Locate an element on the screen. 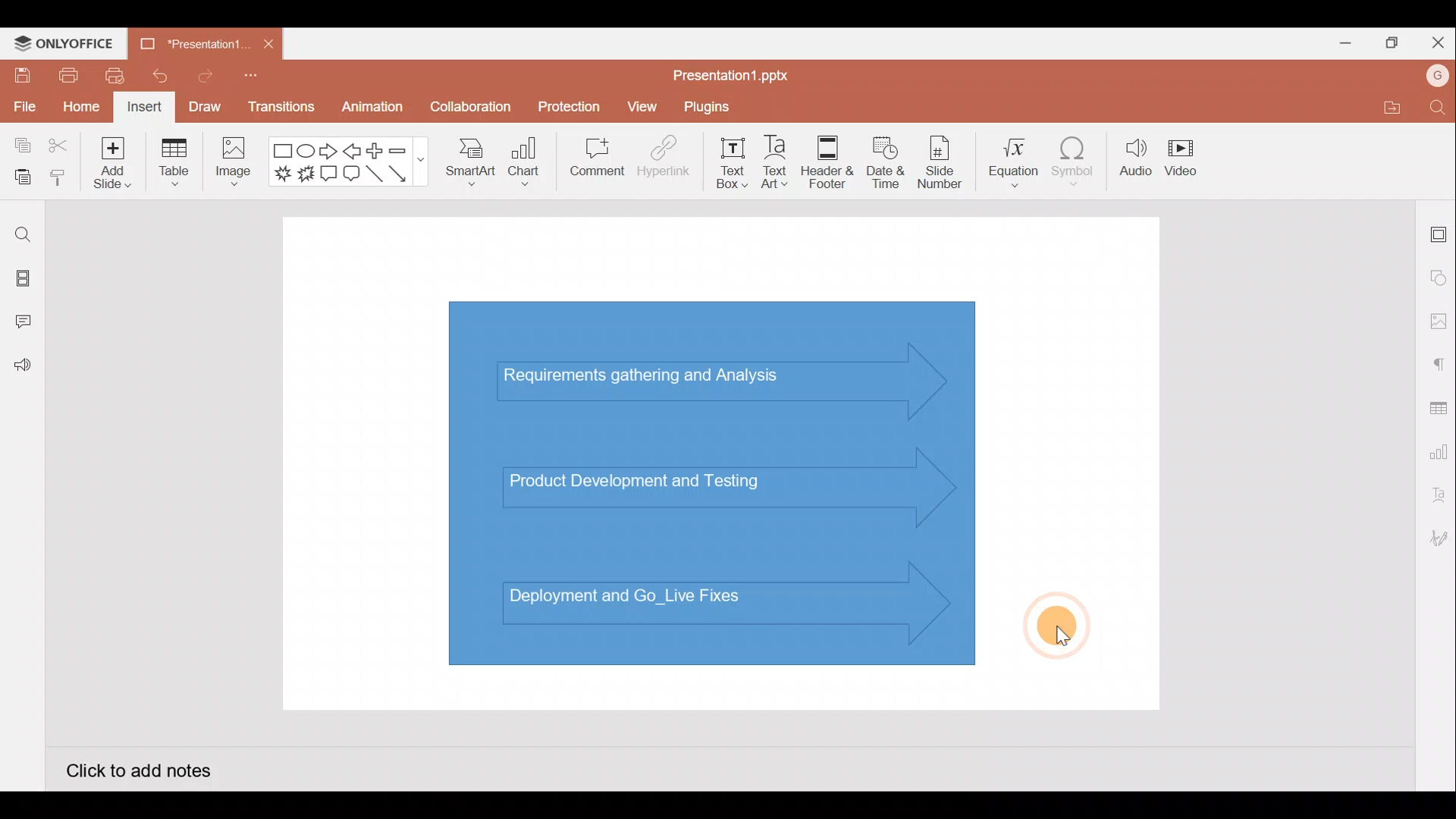 This screenshot has width=1456, height=819. Plugins is located at coordinates (717, 105).